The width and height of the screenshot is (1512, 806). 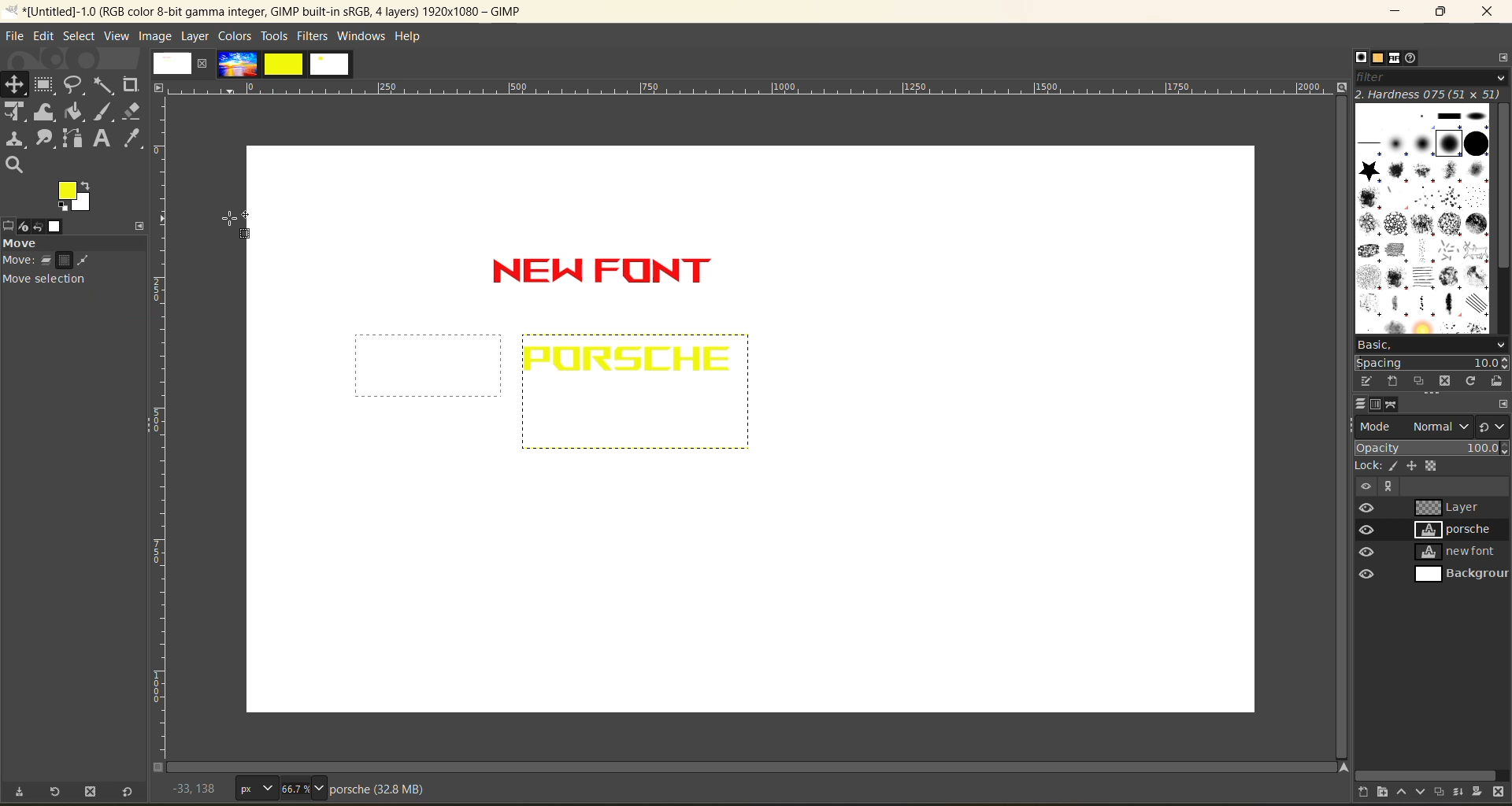 I want to click on reset to default values, so click(x=128, y=793).